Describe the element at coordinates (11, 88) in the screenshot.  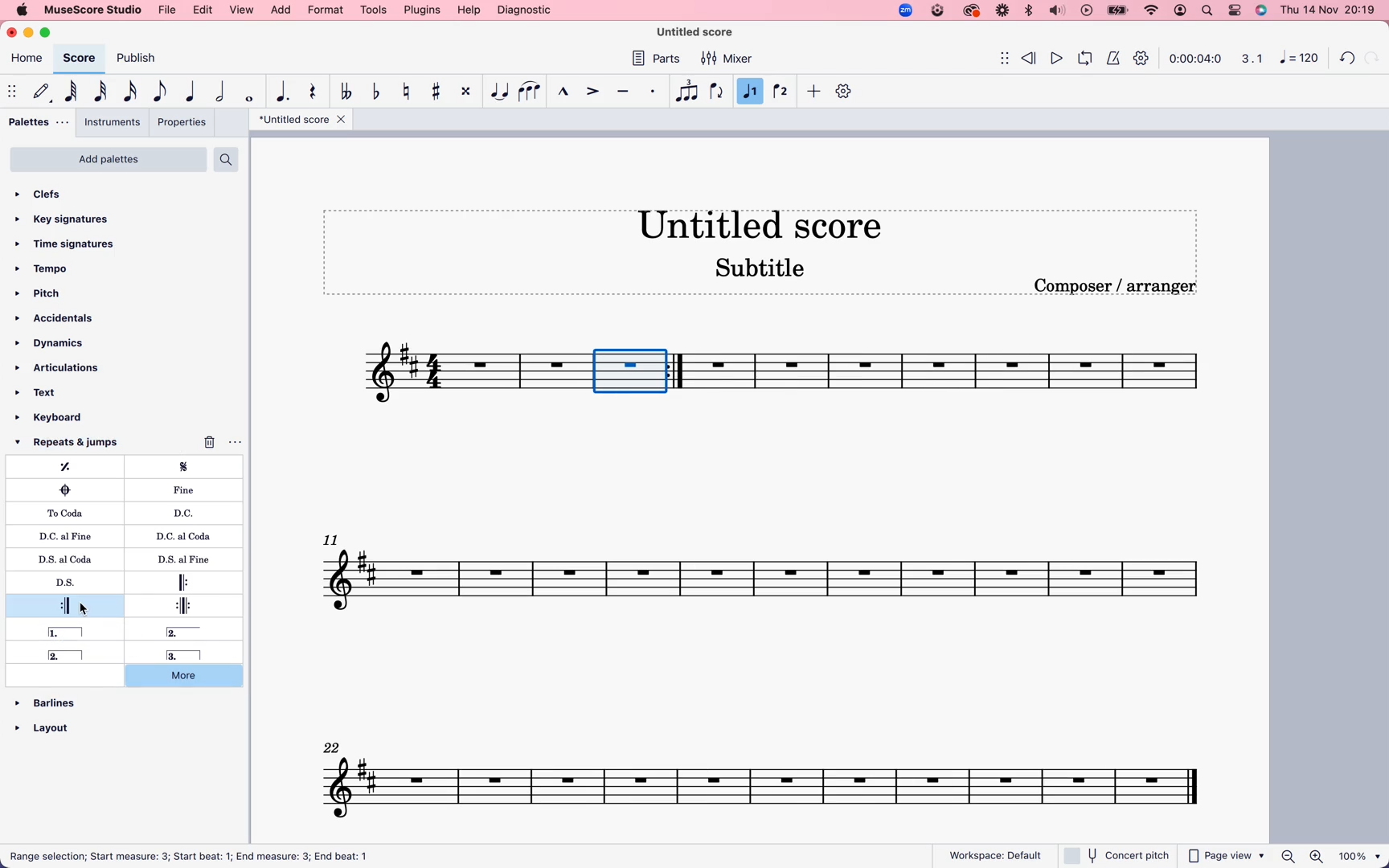
I see `move` at that location.